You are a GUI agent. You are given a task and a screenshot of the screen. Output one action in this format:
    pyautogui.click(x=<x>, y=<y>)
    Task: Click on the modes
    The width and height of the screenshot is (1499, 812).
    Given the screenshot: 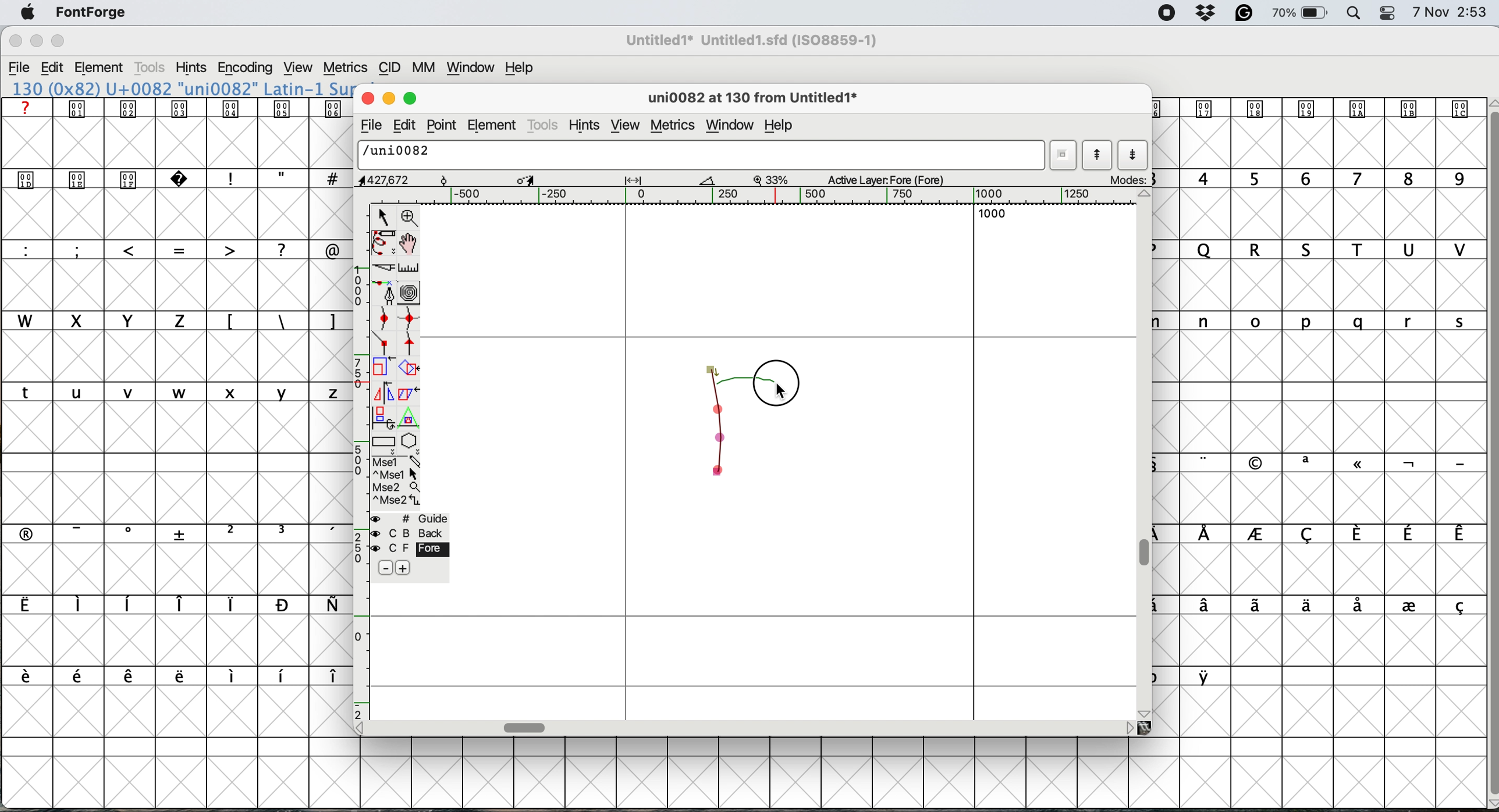 What is the action you would take?
    pyautogui.click(x=1129, y=179)
    